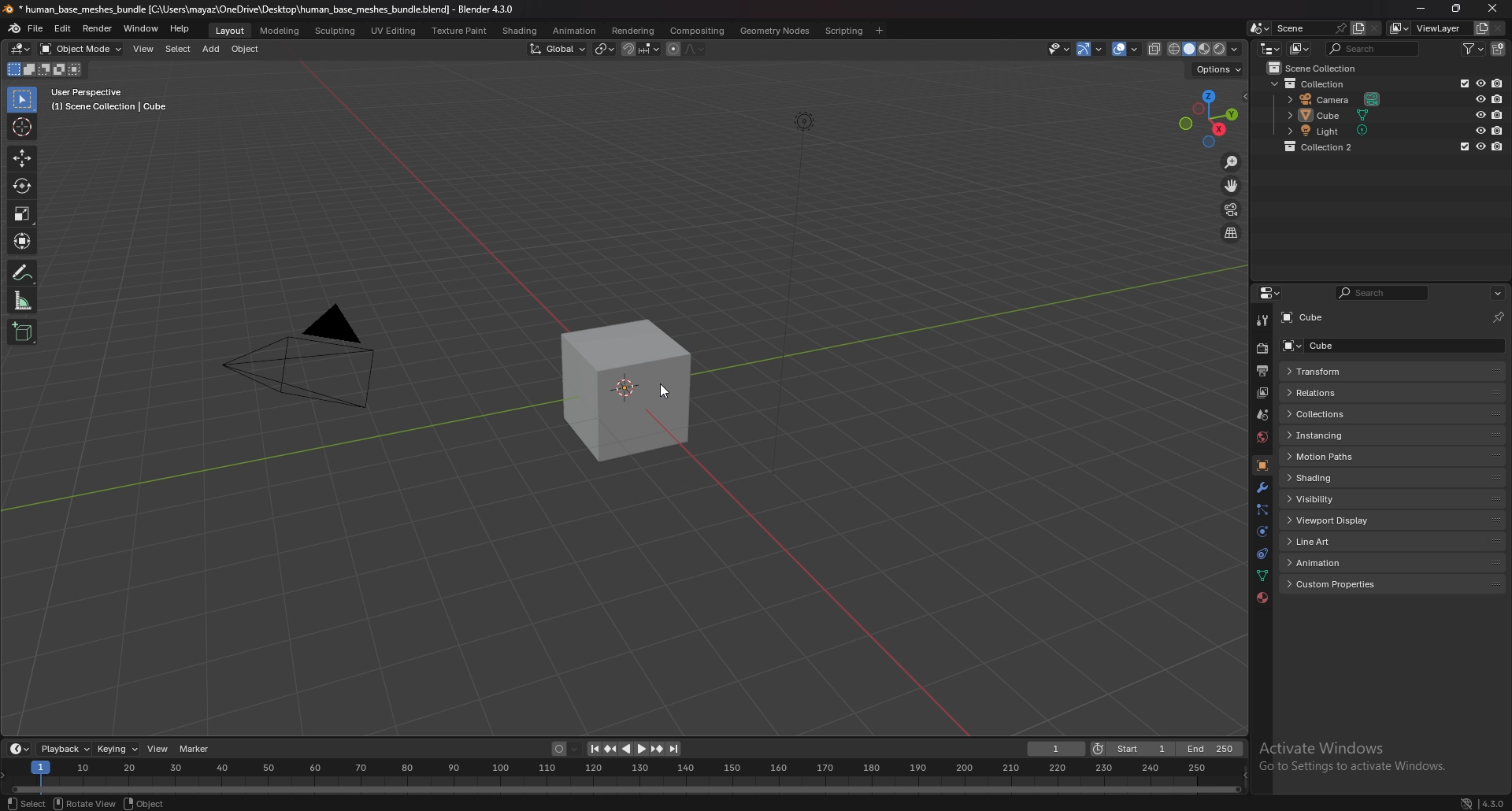 This screenshot has width=1512, height=811. Describe the element at coordinates (1329, 146) in the screenshot. I see `collection` at that location.